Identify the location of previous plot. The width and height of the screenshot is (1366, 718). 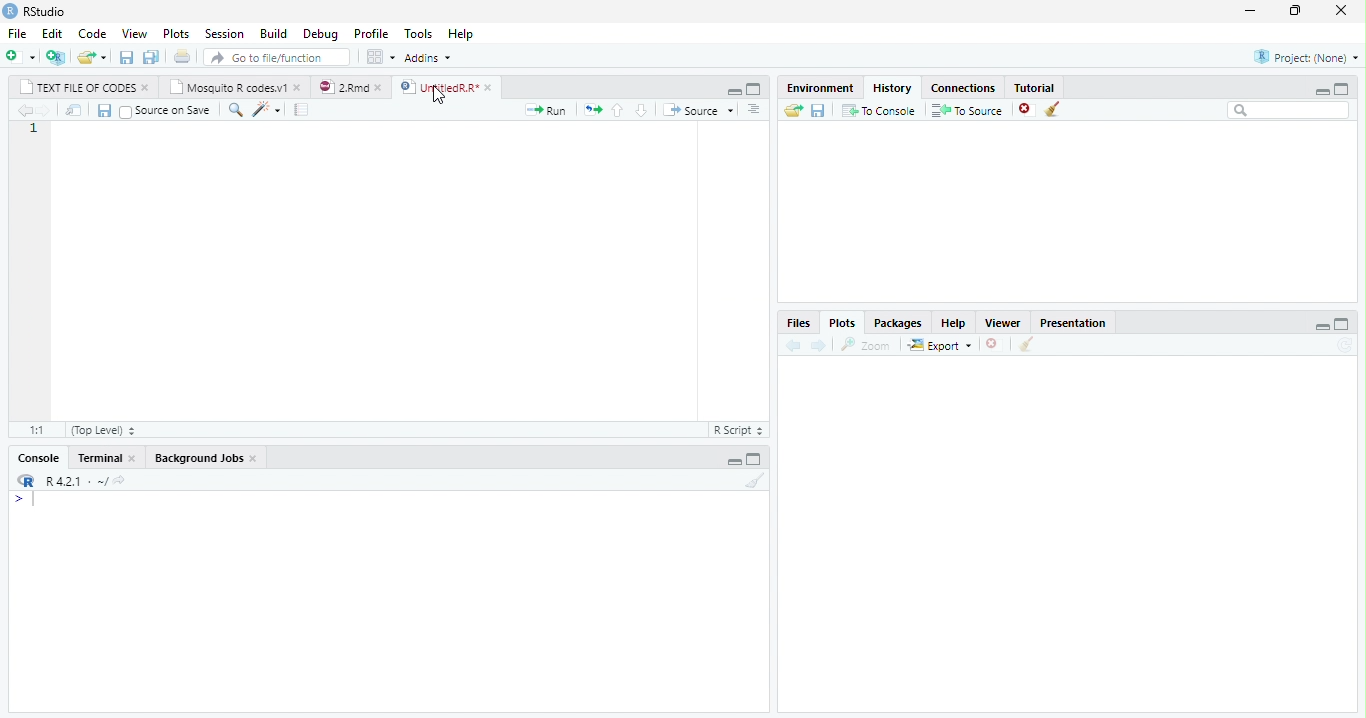
(793, 346).